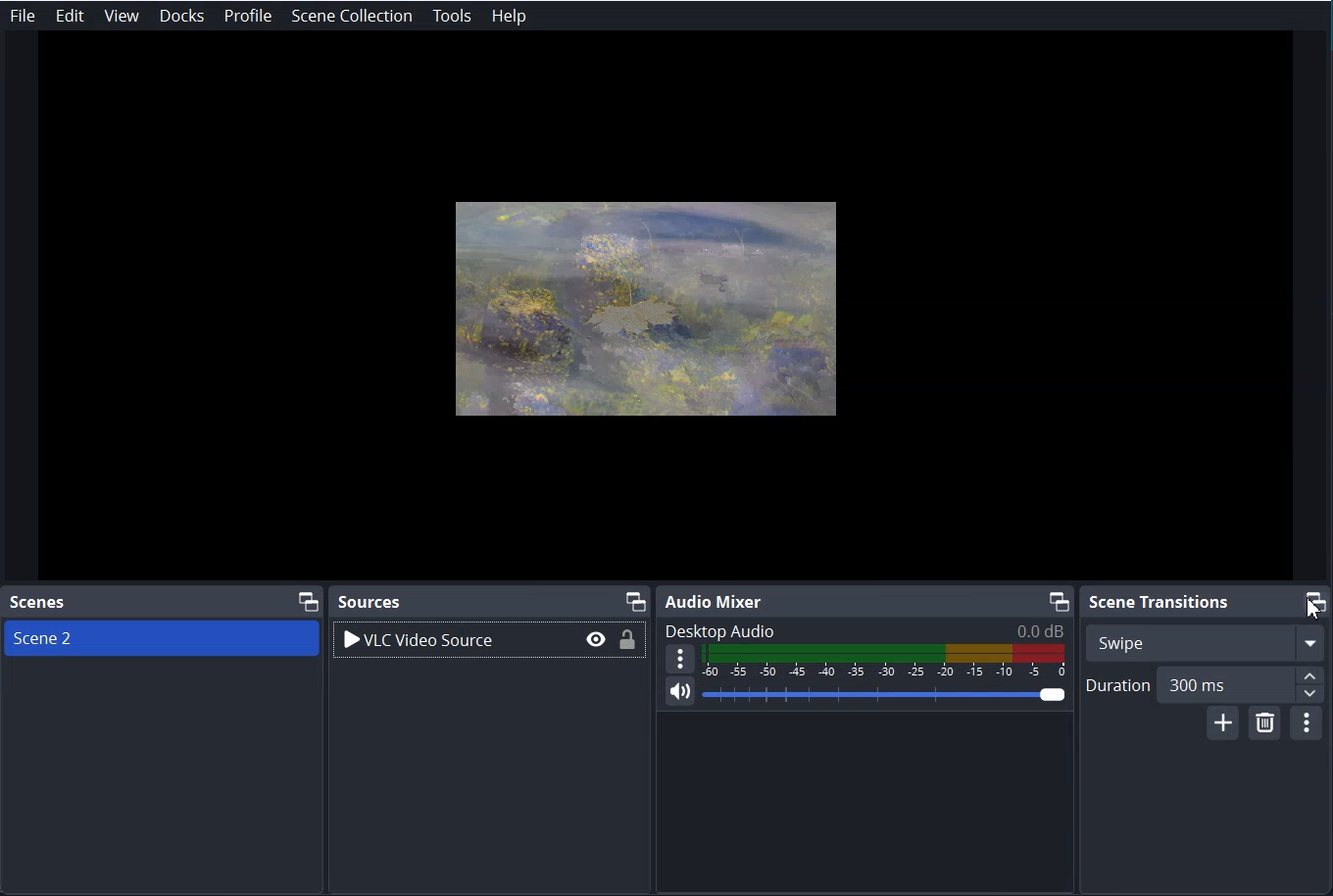  Describe the element at coordinates (1228, 729) in the screenshot. I see `Add Configurable Transition` at that location.